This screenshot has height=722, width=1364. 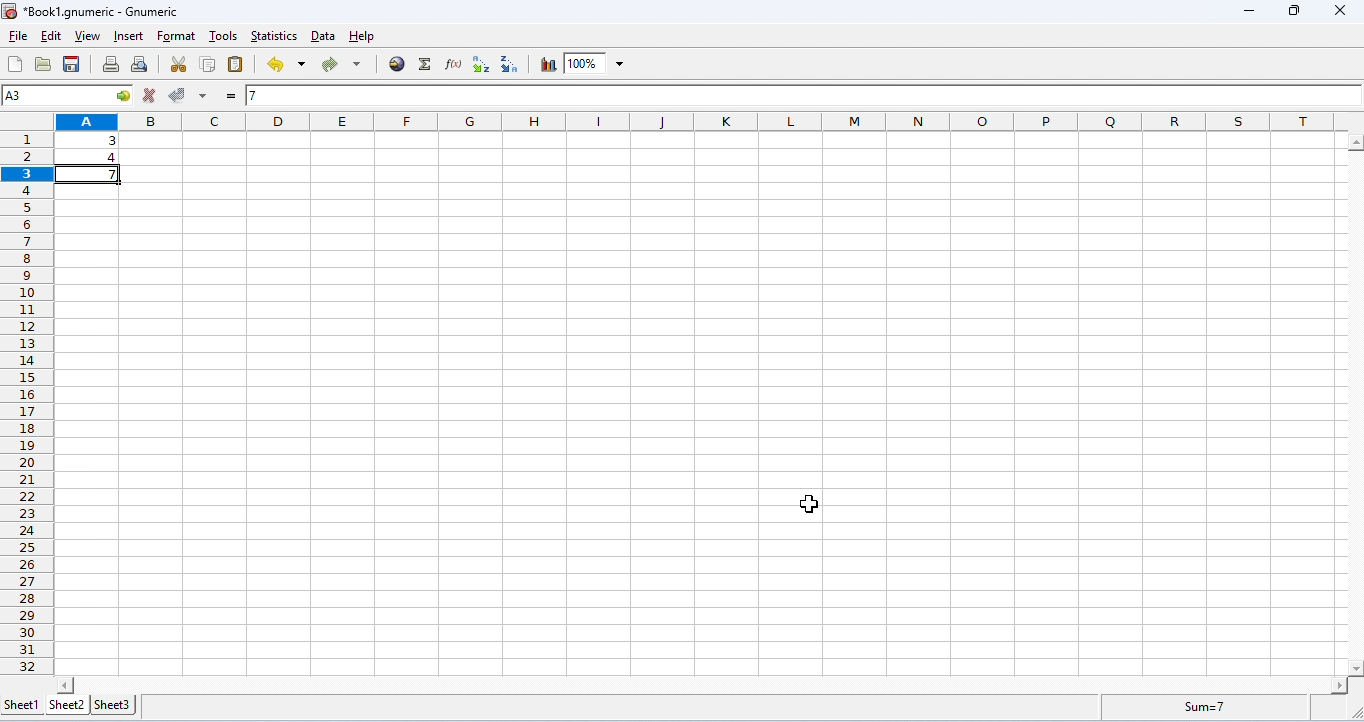 What do you see at coordinates (452, 64) in the screenshot?
I see `function wizard` at bounding box center [452, 64].